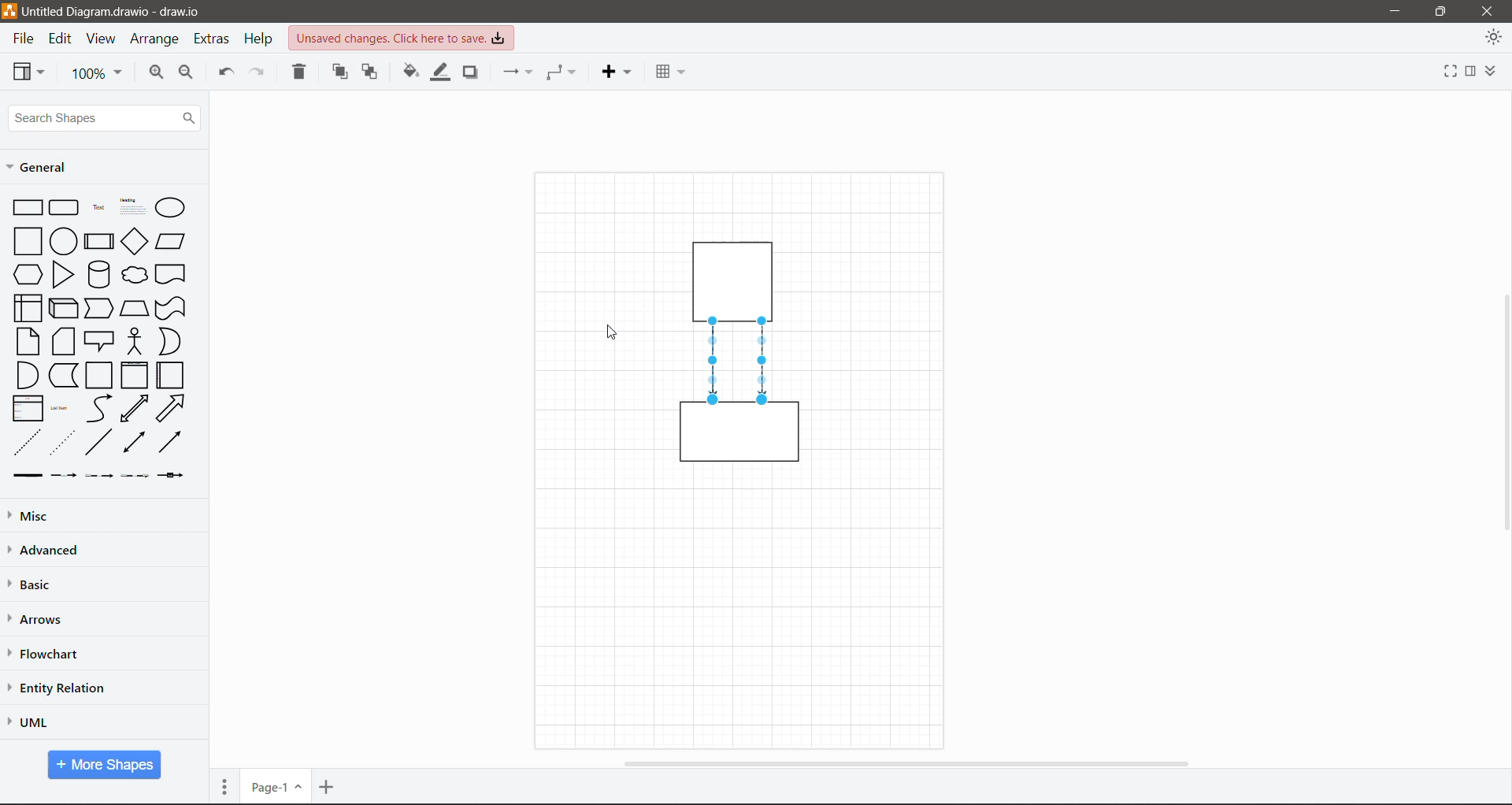 The image size is (1512, 805). What do you see at coordinates (608, 332) in the screenshot?
I see `Cursor` at bounding box center [608, 332].